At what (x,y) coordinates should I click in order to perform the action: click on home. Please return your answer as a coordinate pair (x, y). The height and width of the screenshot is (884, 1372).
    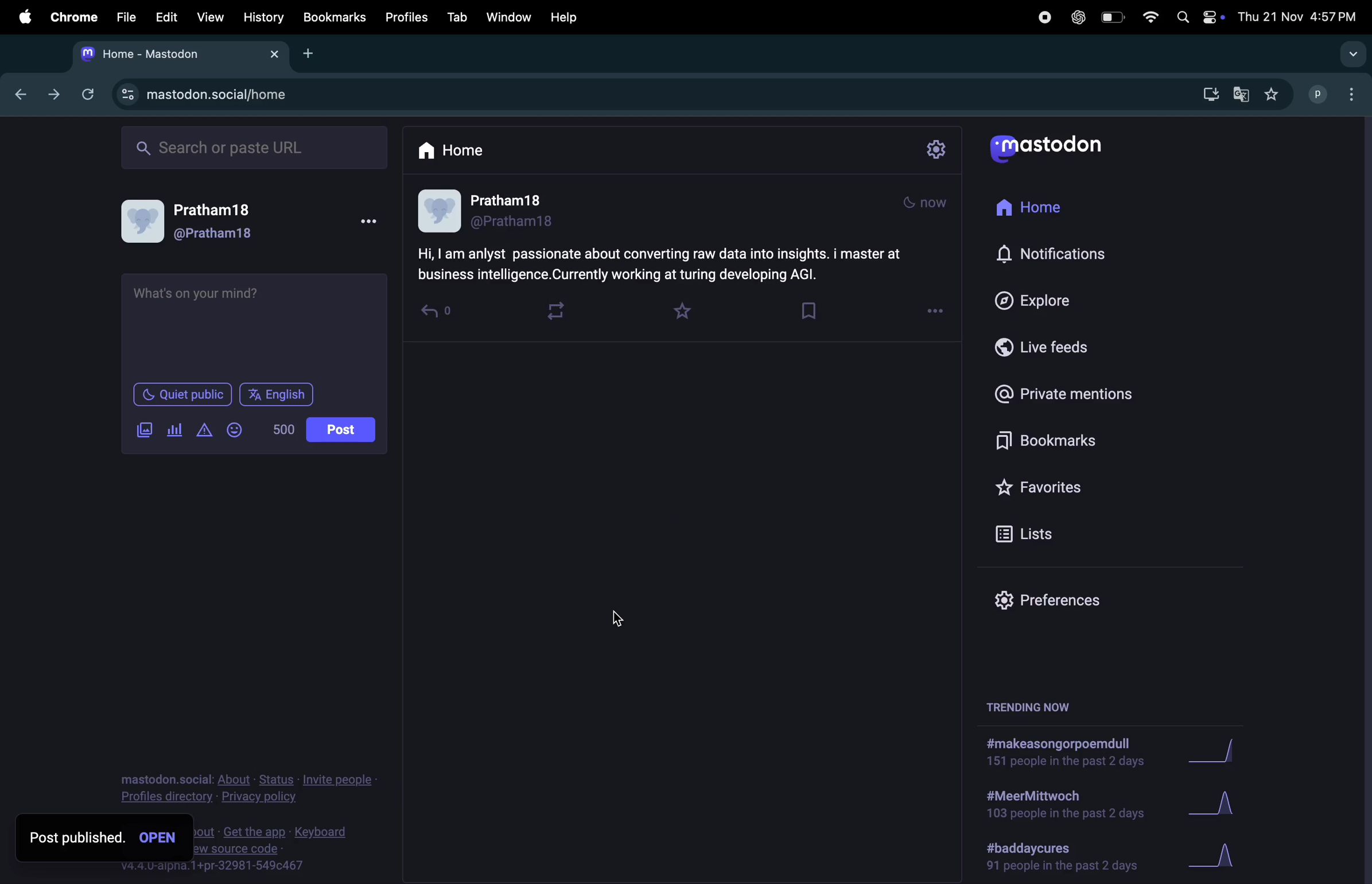
    Looking at the image, I should click on (458, 151).